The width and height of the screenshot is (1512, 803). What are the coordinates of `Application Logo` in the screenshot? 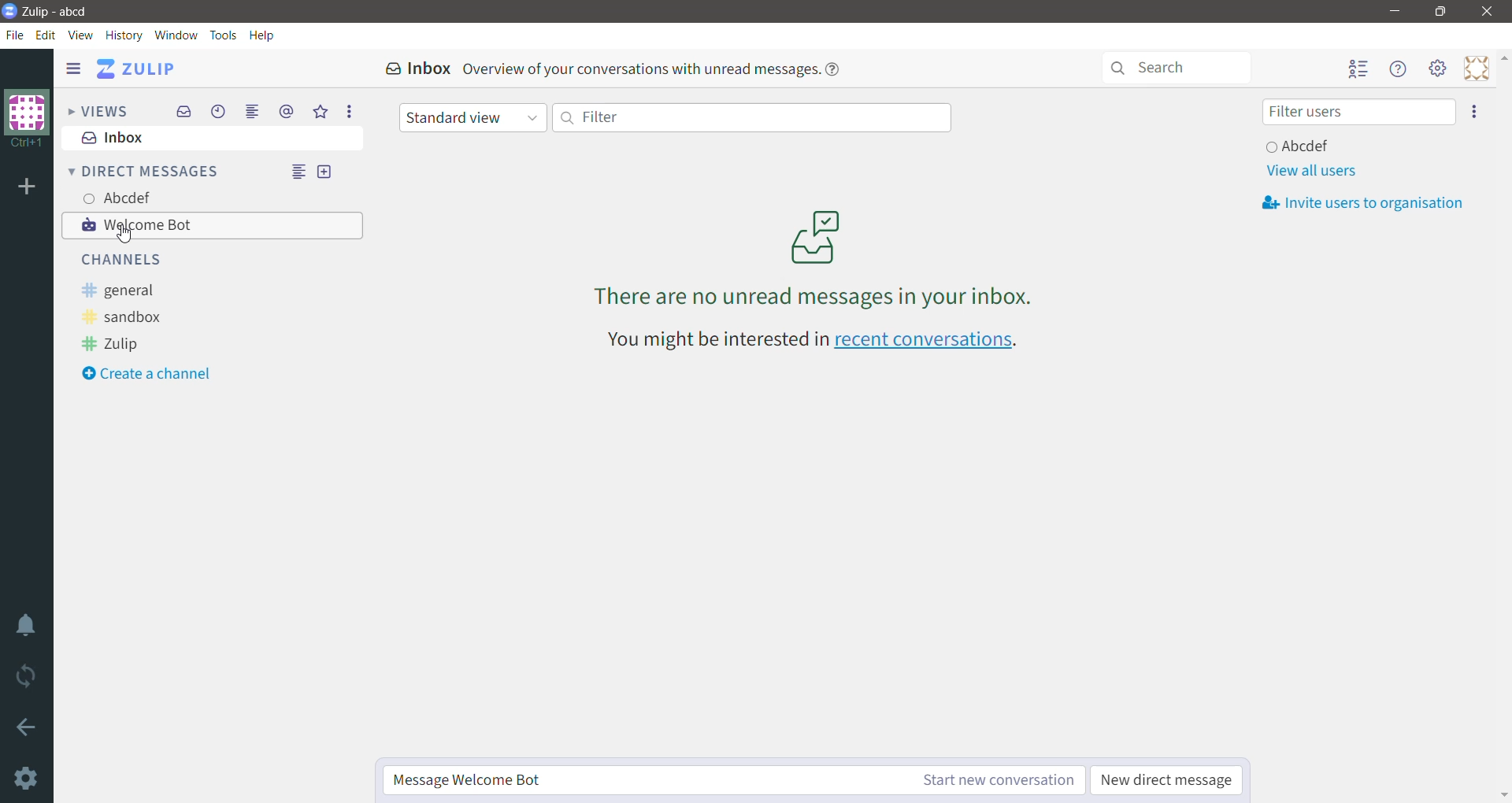 It's located at (9, 12).